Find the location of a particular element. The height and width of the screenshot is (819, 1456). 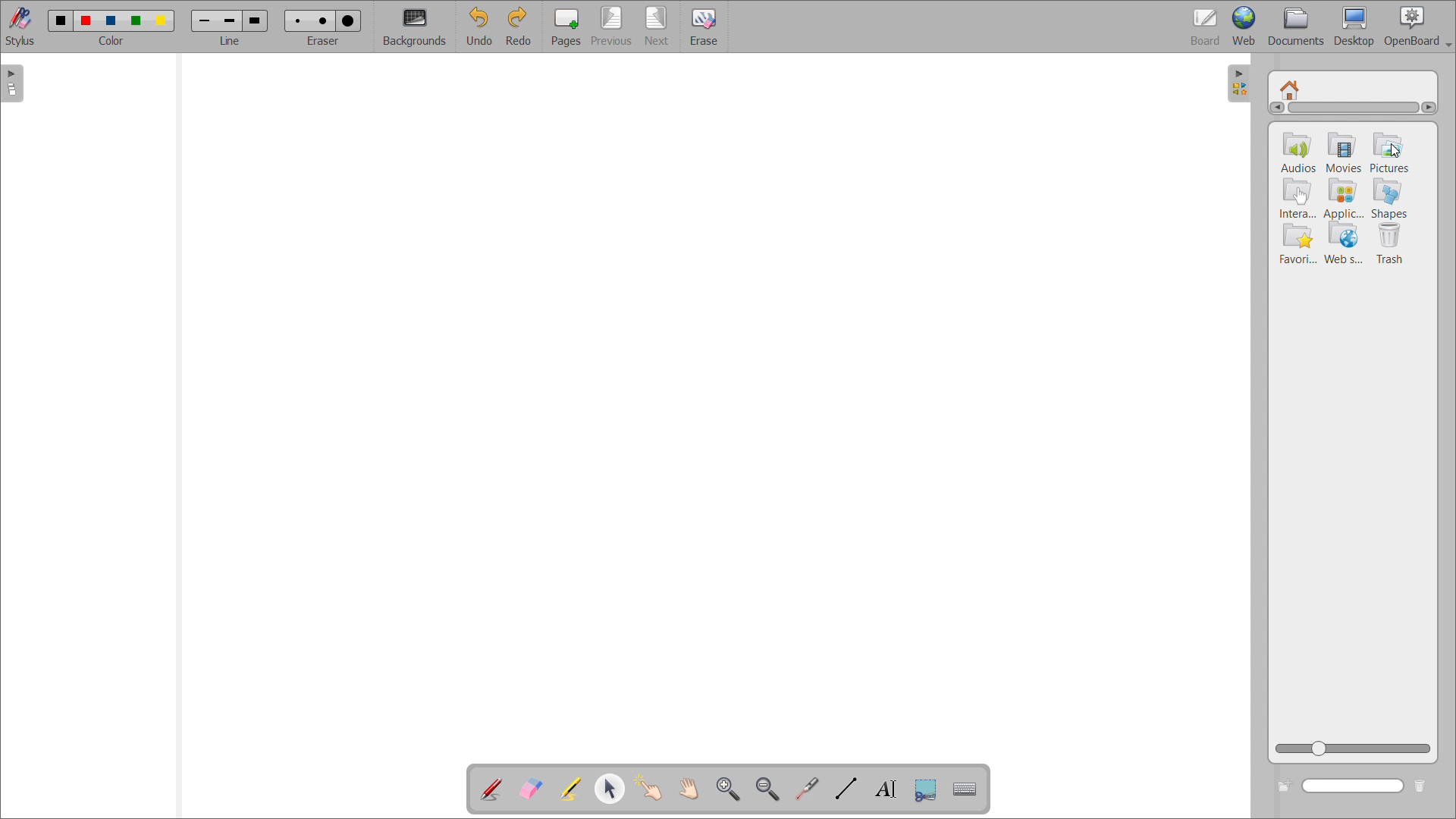

previous page is located at coordinates (612, 25).